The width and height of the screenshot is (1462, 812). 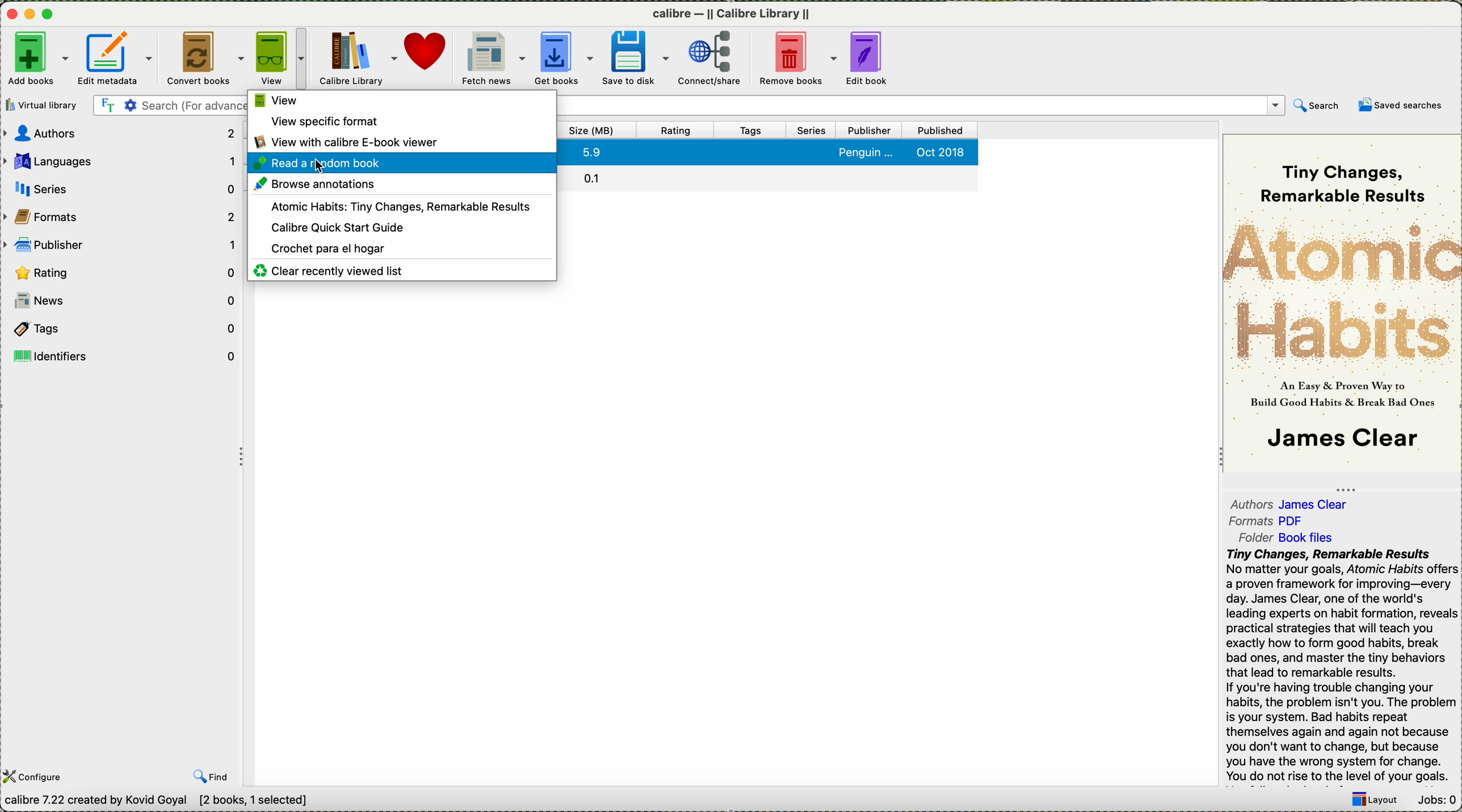 I want to click on close program, so click(x=9, y=13).